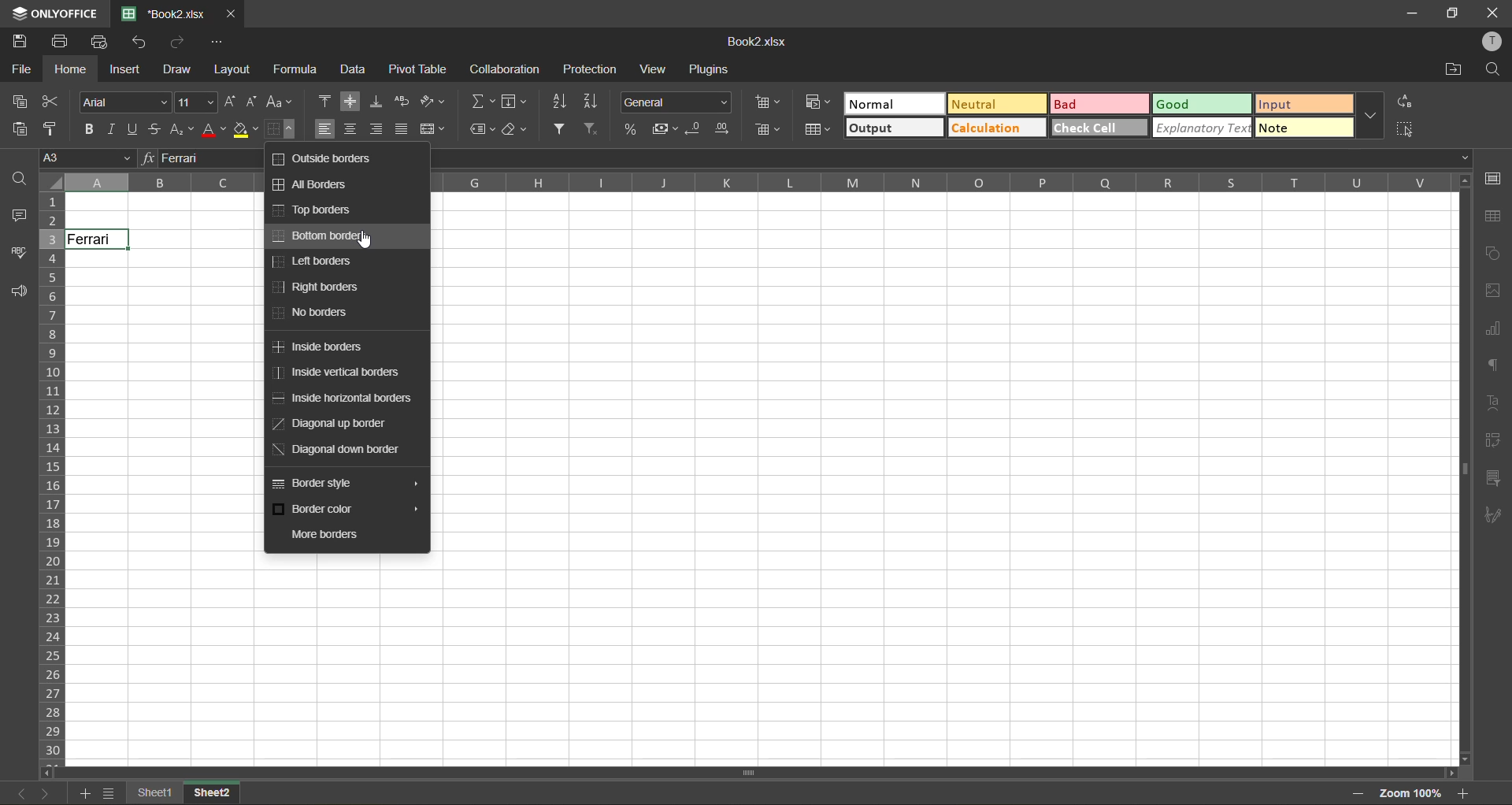 The image size is (1512, 805). What do you see at coordinates (21, 42) in the screenshot?
I see `save` at bounding box center [21, 42].